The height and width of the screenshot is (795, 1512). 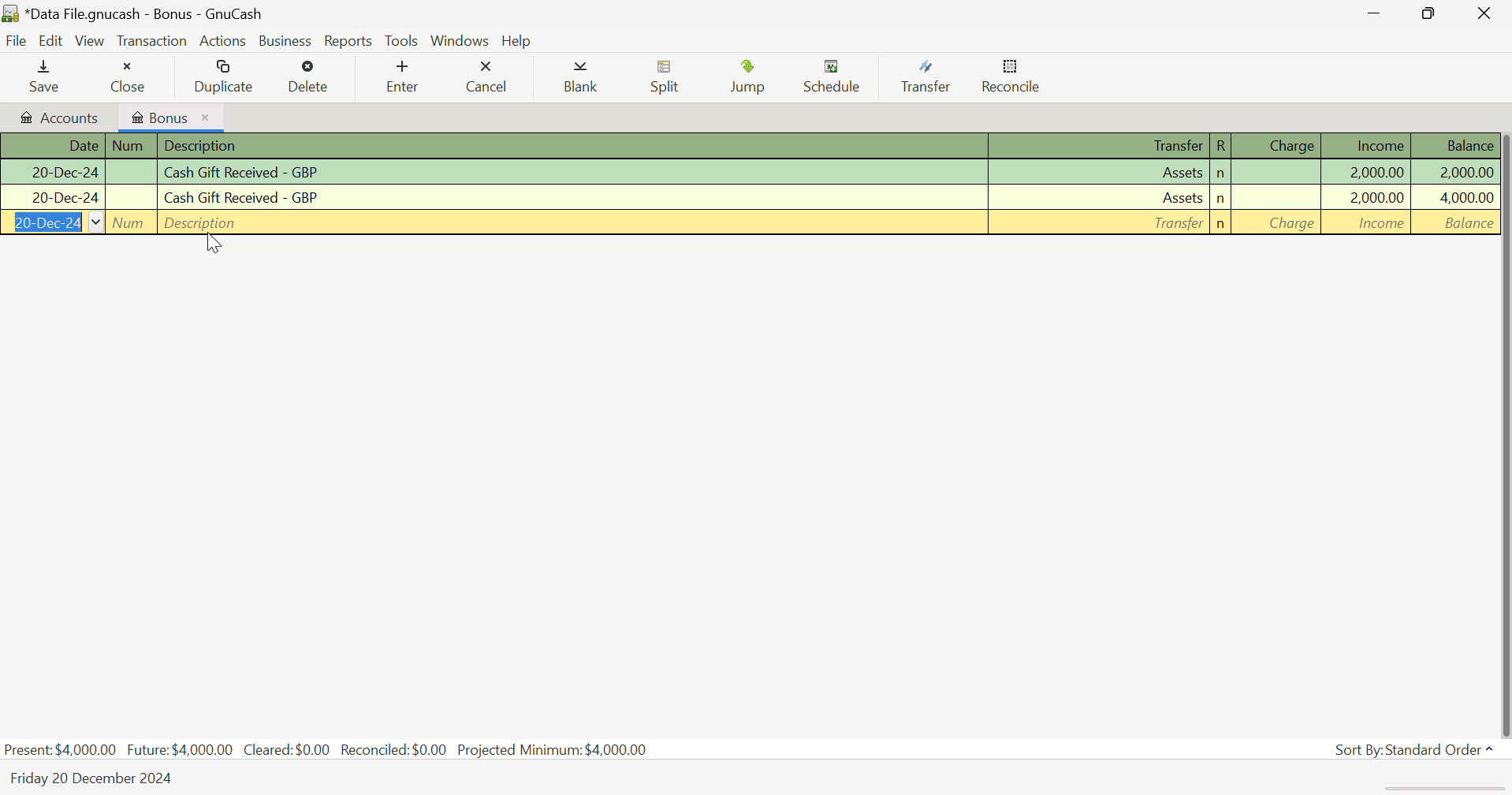 What do you see at coordinates (556, 748) in the screenshot?
I see `Projected Minimum` at bounding box center [556, 748].